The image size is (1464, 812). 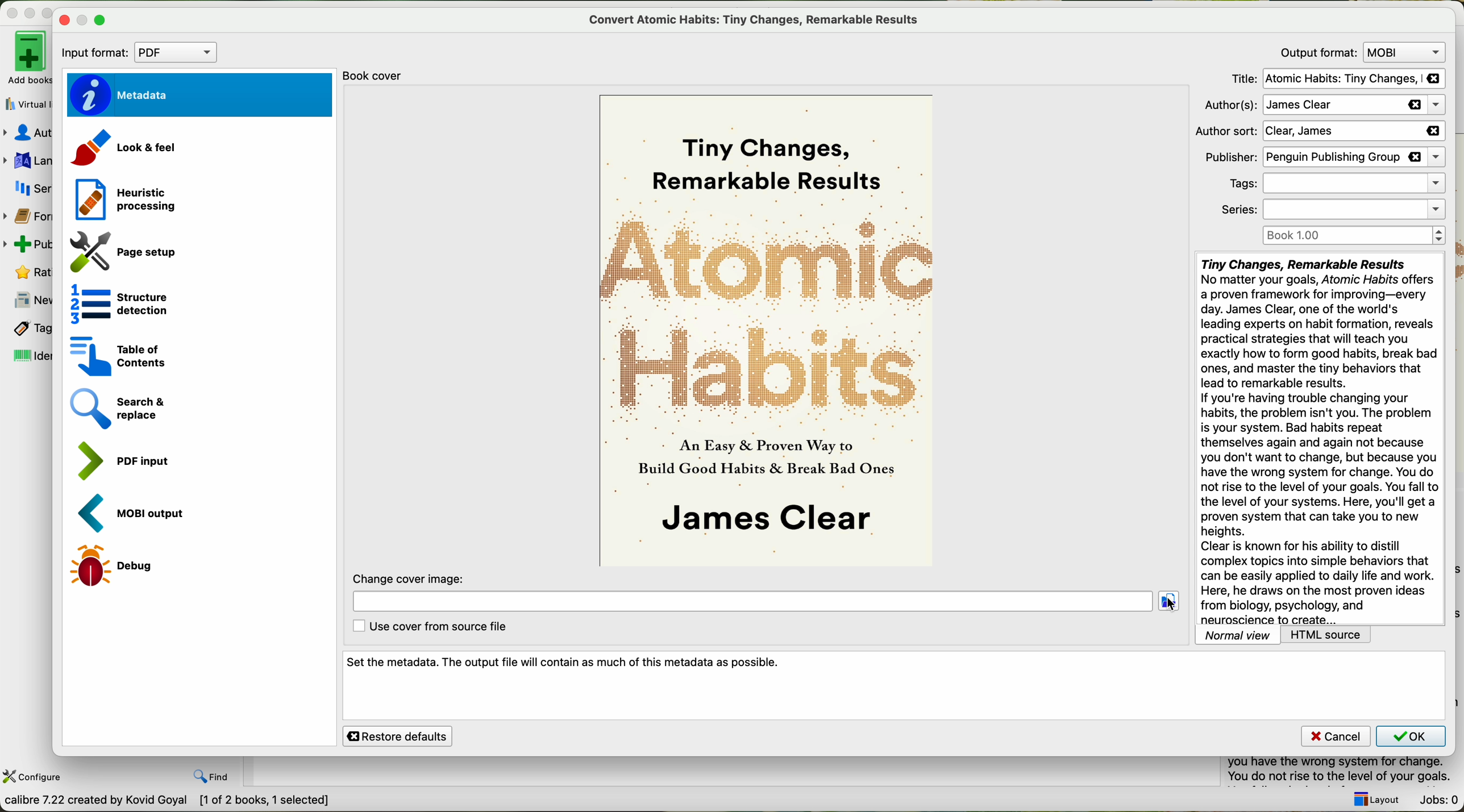 What do you see at coordinates (33, 190) in the screenshot?
I see `series` at bounding box center [33, 190].